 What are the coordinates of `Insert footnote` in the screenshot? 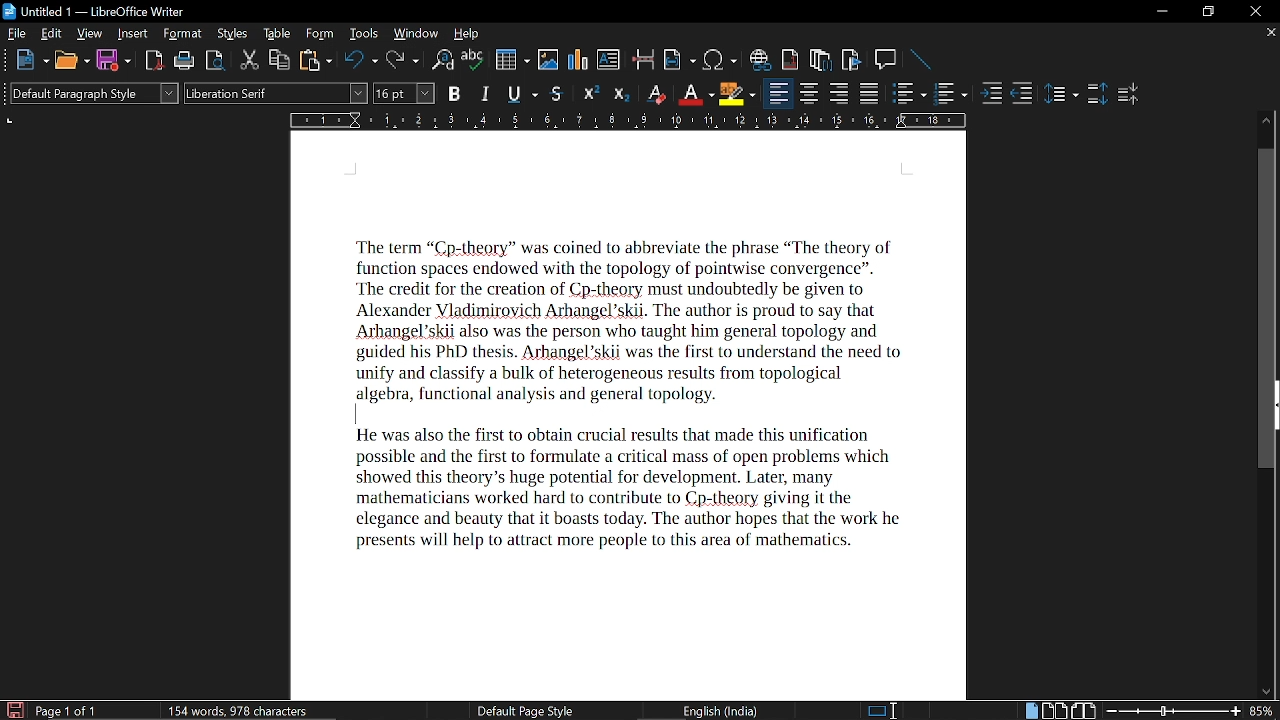 It's located at (791, 61).